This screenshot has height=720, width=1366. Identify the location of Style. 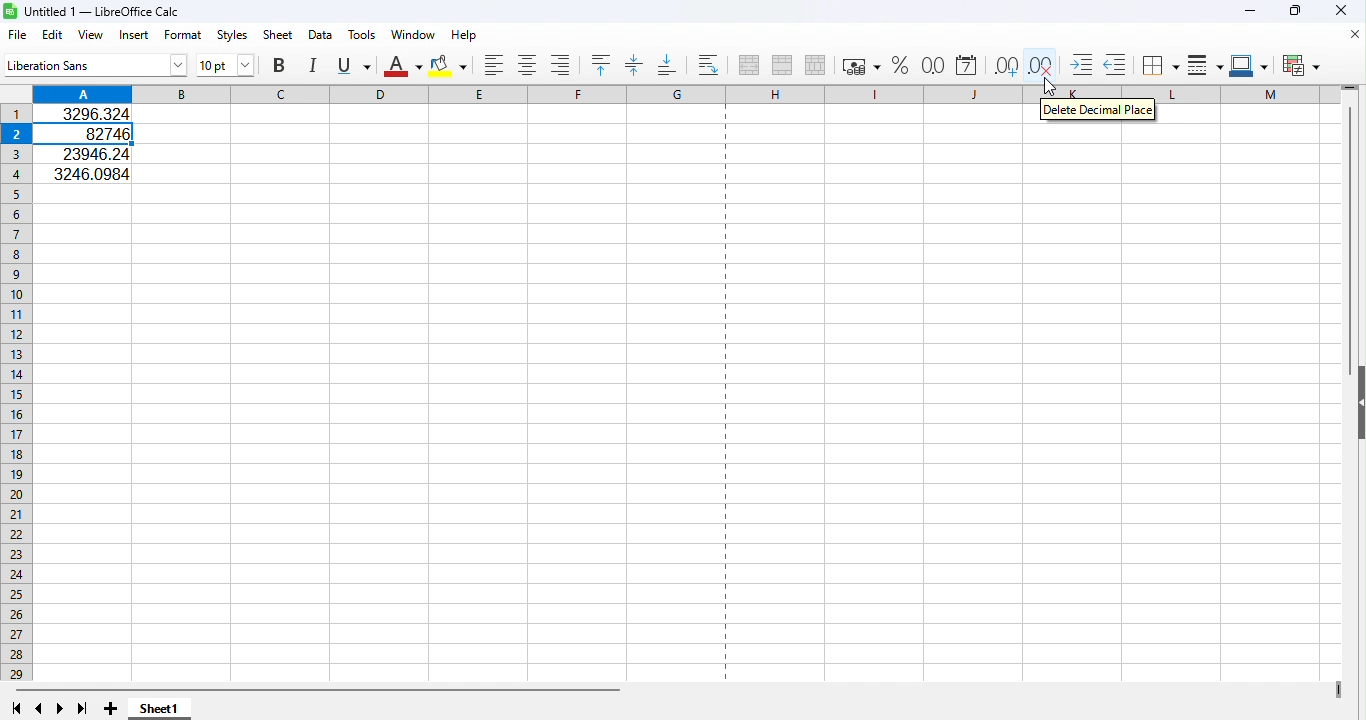
(229, 34).